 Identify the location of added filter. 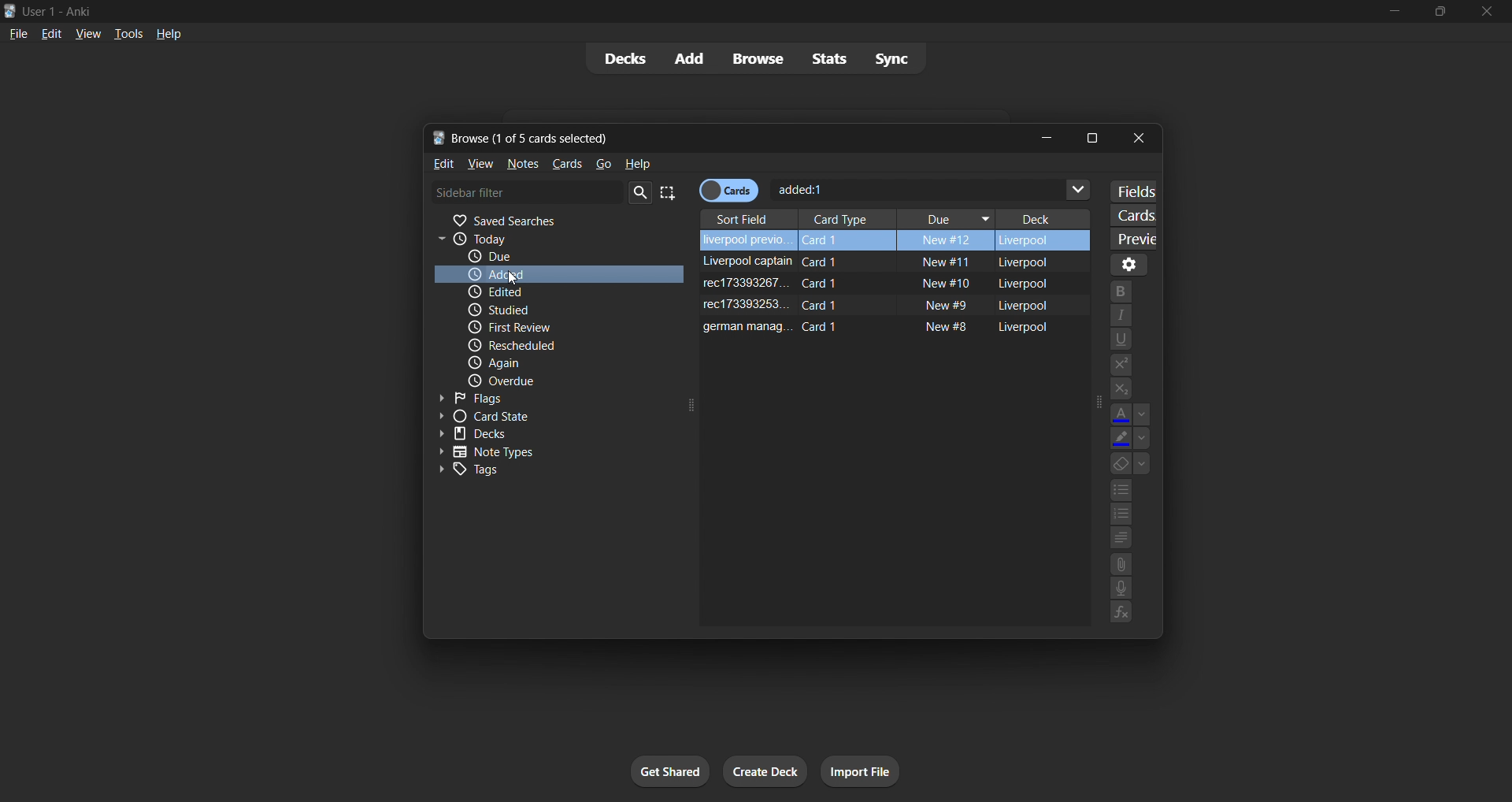
(558, 273).